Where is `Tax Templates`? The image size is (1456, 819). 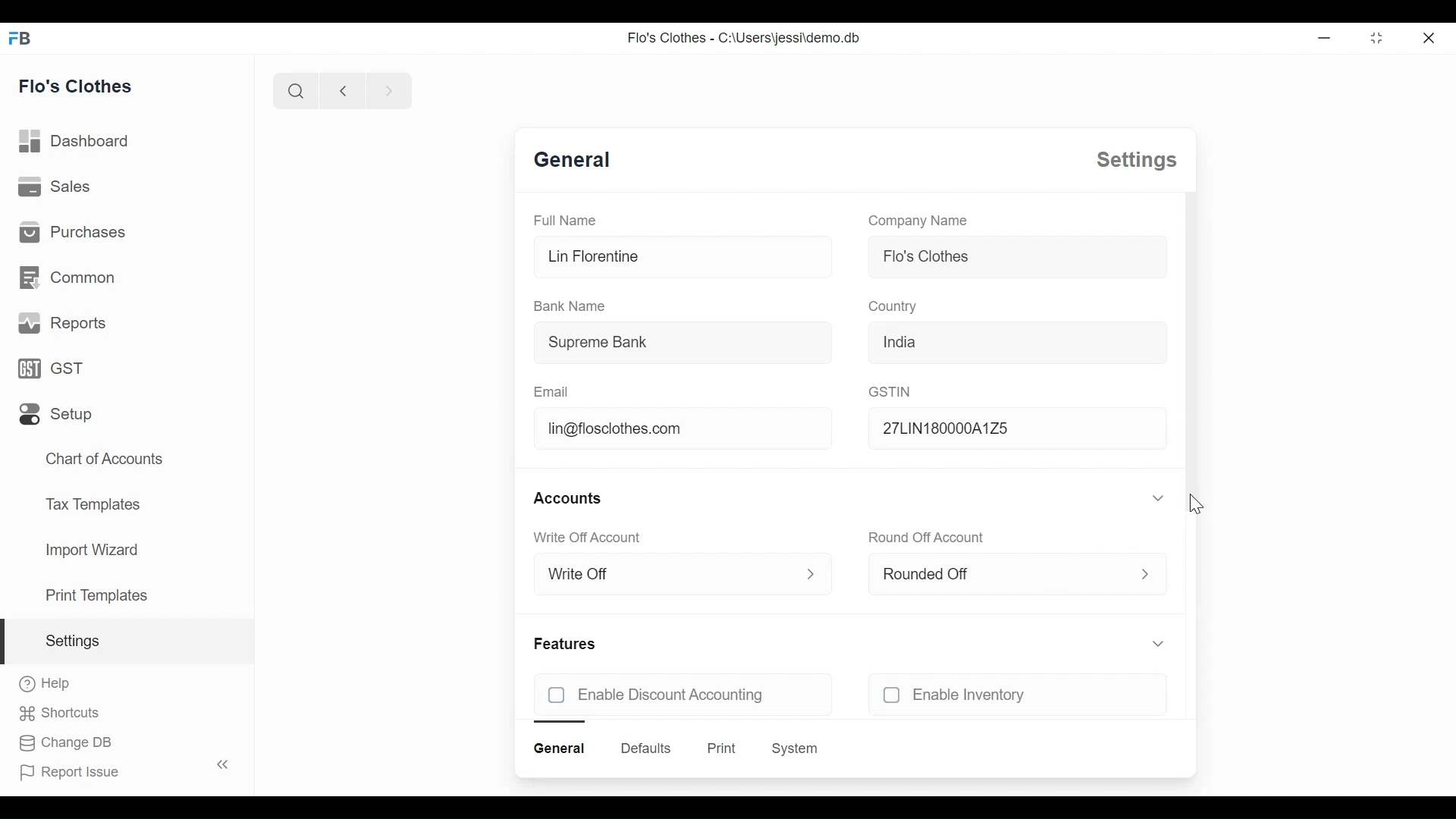 Tax Templates is located at coordinates (93, 504).